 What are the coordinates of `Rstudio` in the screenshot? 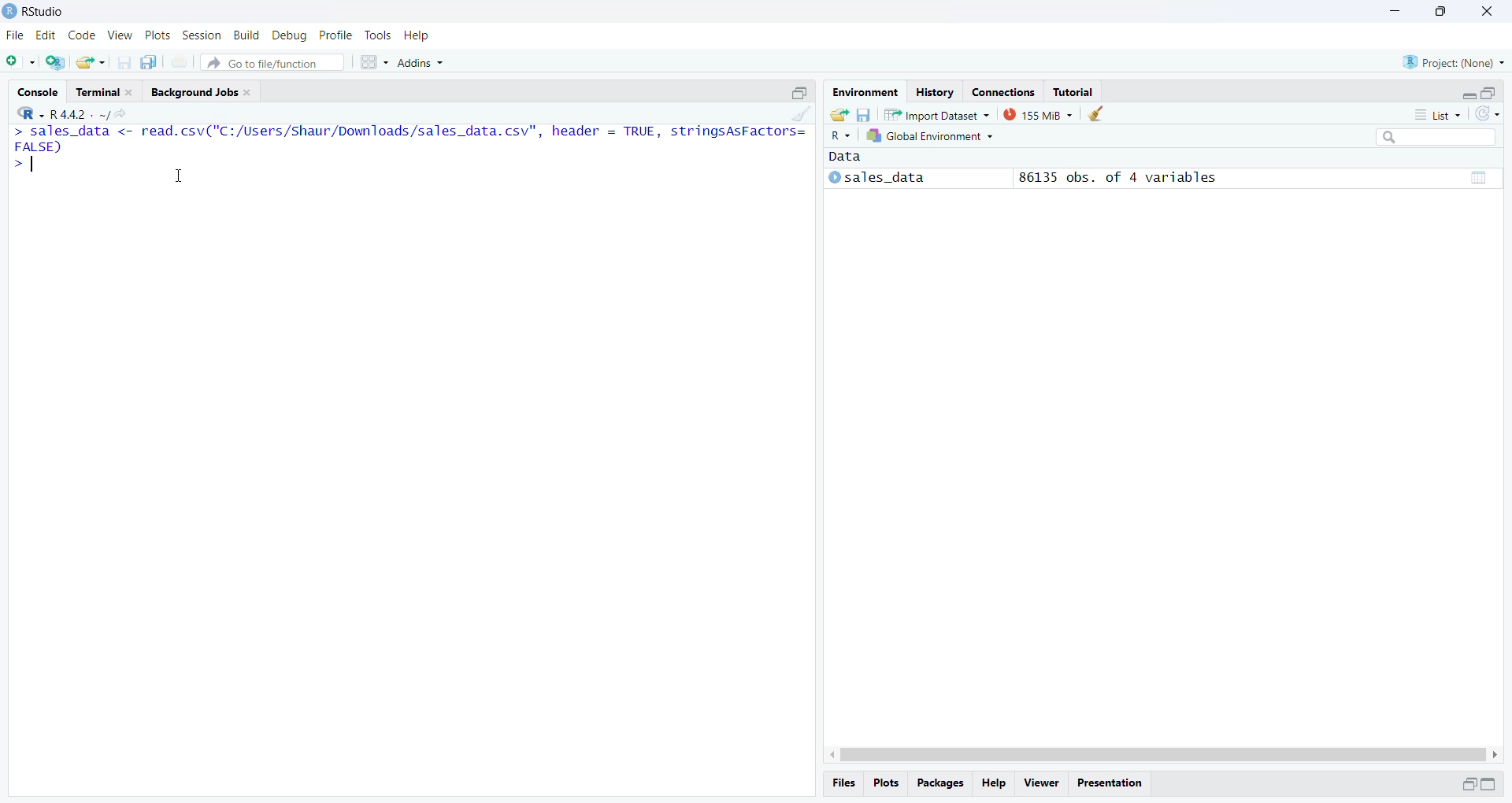 It's located at (30, 9).